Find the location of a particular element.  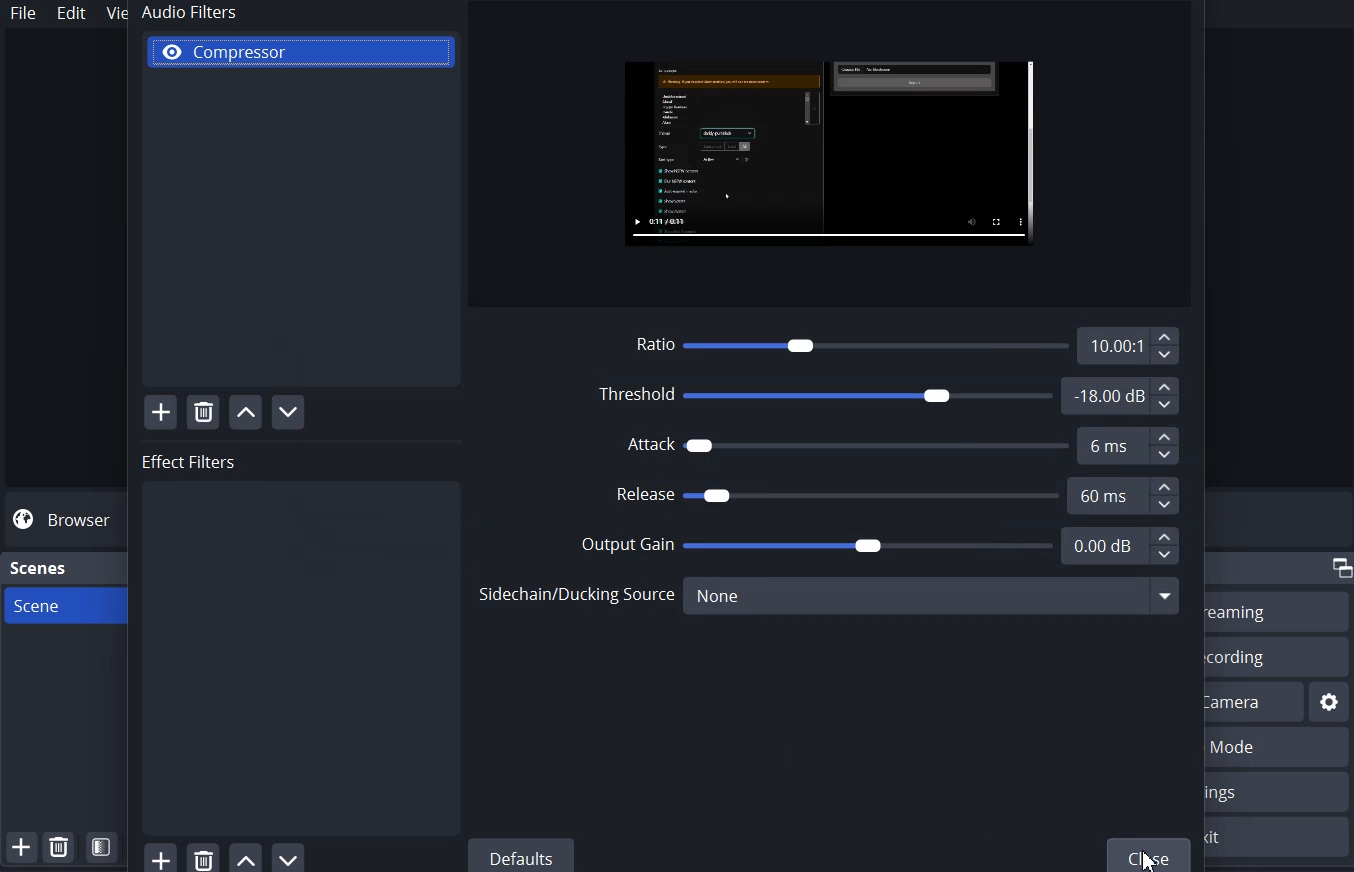

Start Streaming is located at coordinates (1278, 611).